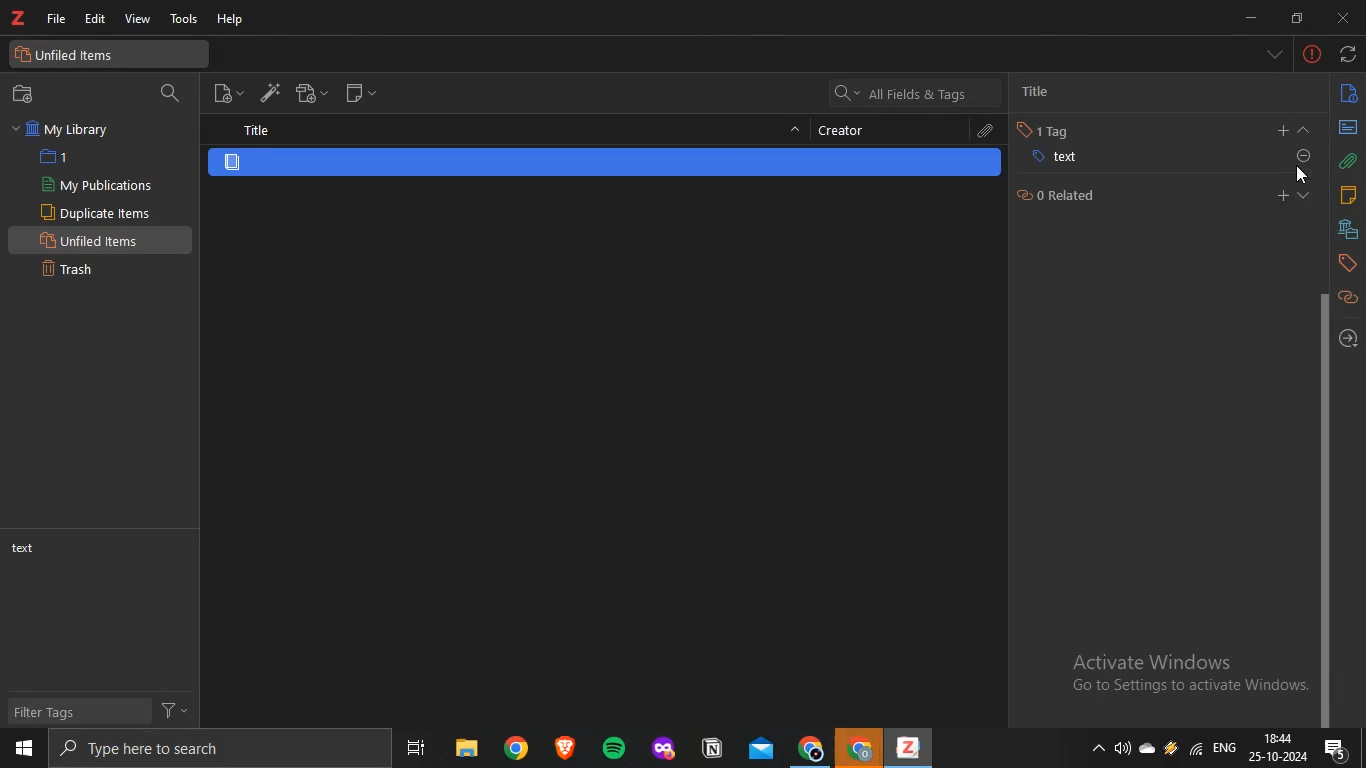 Image resolution: width=1366 pixels, height=768 pixels. What do you see at coordinates (1304, 156) in the screenshot?
I see `attachments` at bounding box center [1304, 156].